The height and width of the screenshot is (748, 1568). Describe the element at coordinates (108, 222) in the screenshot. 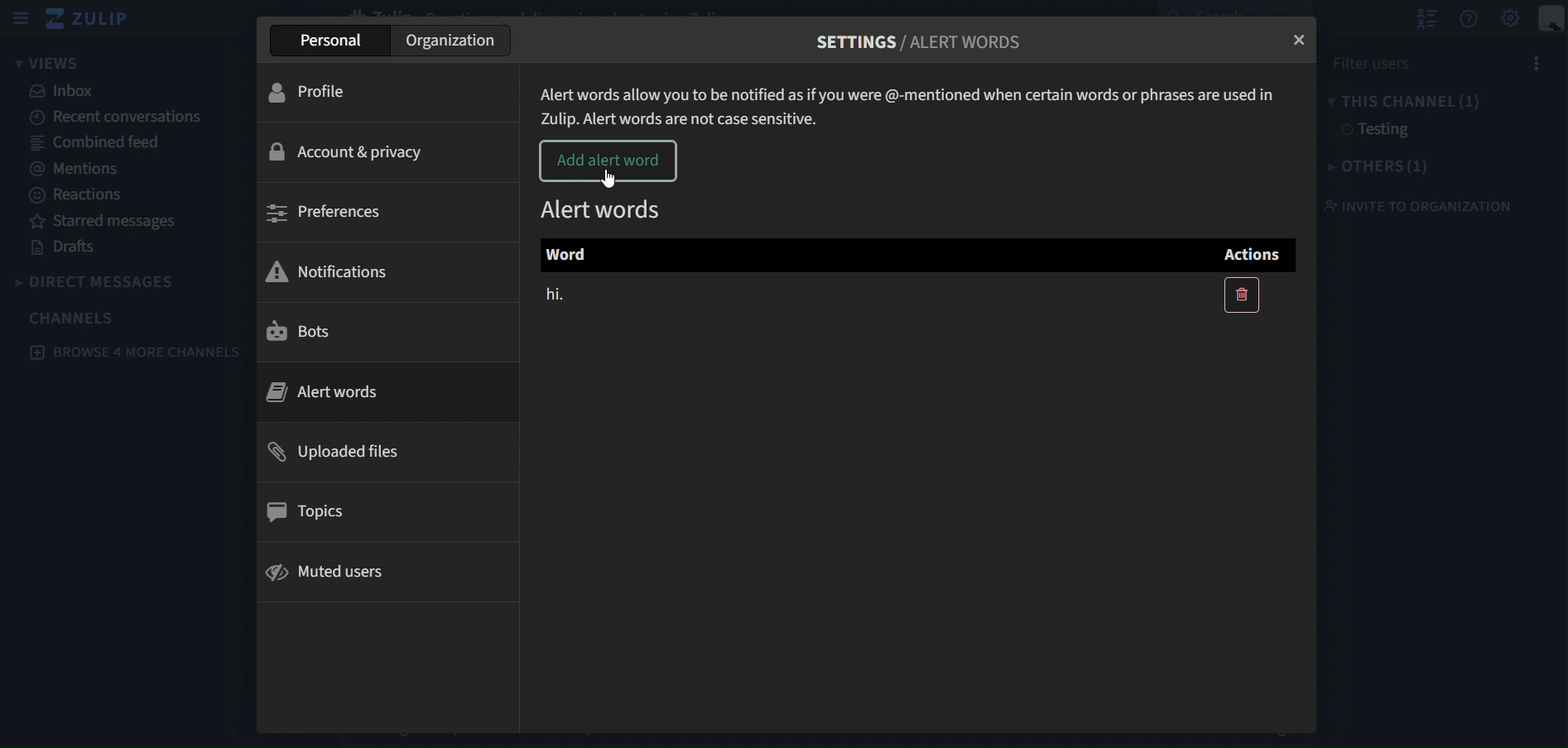

I see `starredmessages` at that location.